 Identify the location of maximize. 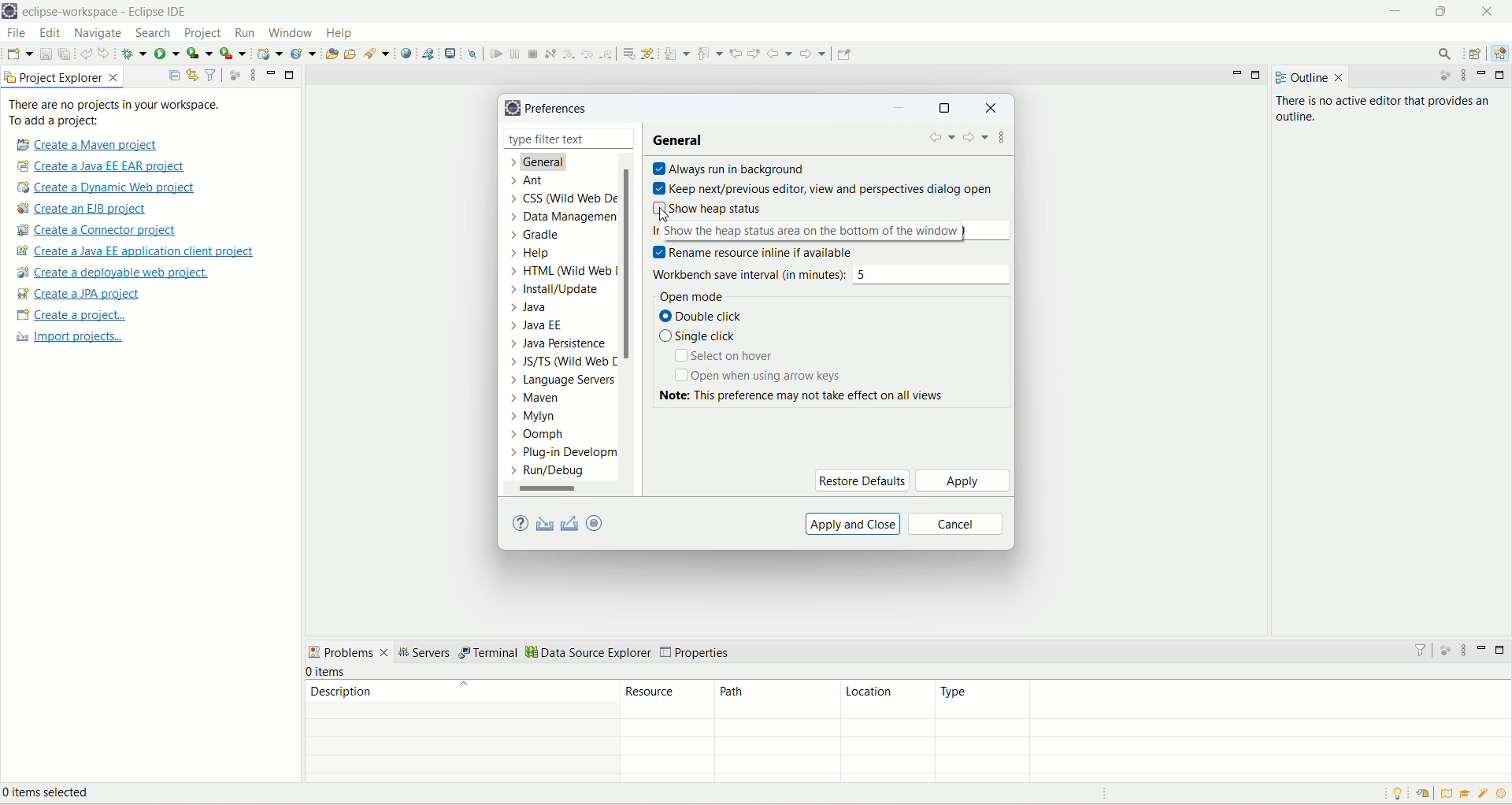
(1501, 75).